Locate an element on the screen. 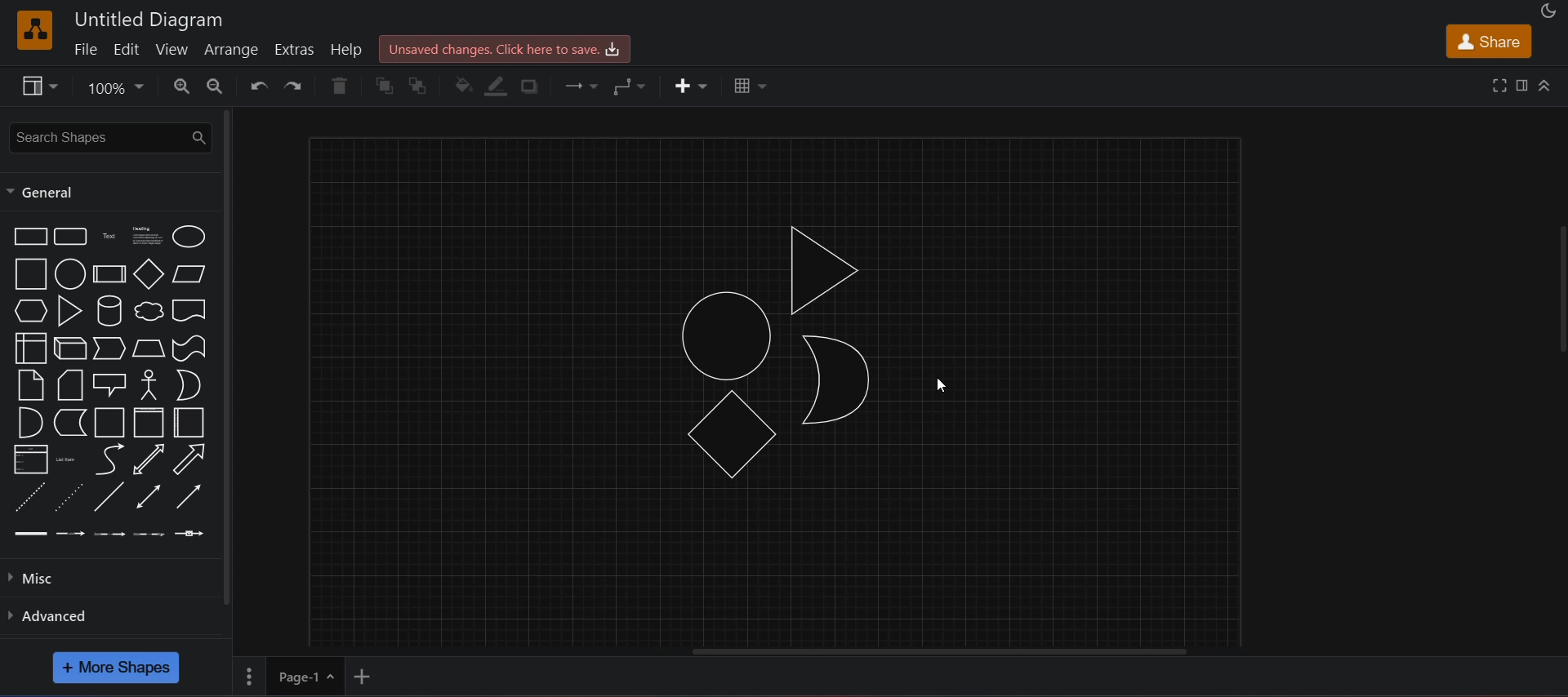 This screenshot has height=697, width=1568. unsaved changes. click here to save is located at coordinates (502, 48).